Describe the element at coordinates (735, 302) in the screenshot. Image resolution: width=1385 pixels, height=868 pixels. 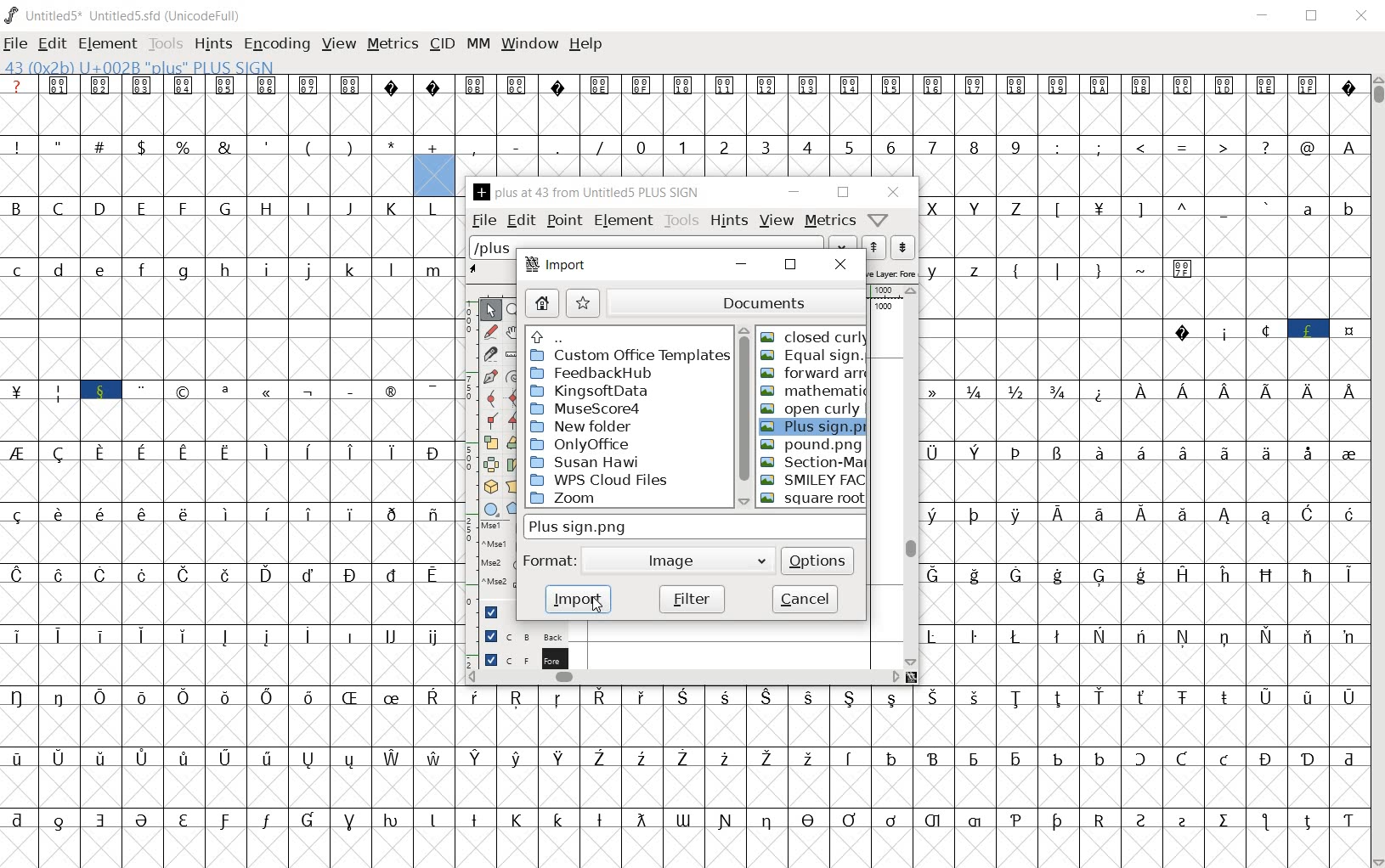
I see `documents` at that location.